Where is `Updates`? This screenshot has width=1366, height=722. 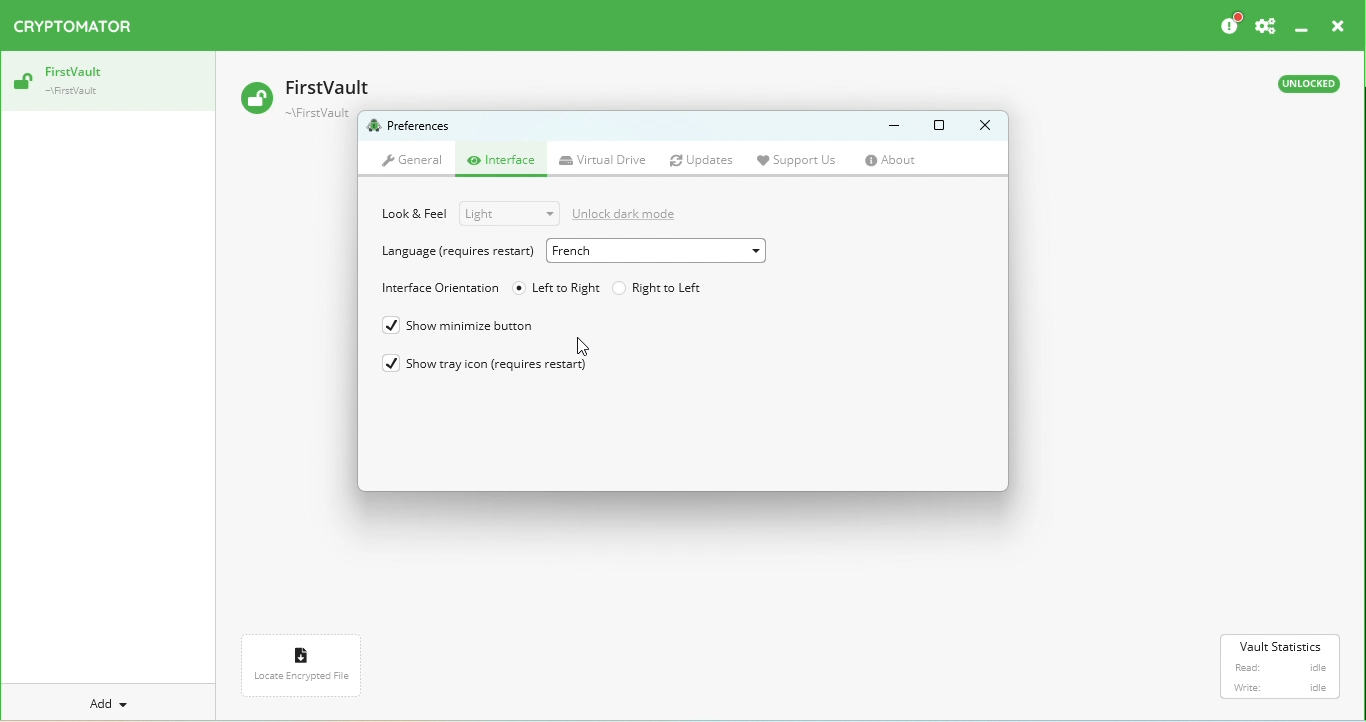
Updates is located at coordinates (706, 161).